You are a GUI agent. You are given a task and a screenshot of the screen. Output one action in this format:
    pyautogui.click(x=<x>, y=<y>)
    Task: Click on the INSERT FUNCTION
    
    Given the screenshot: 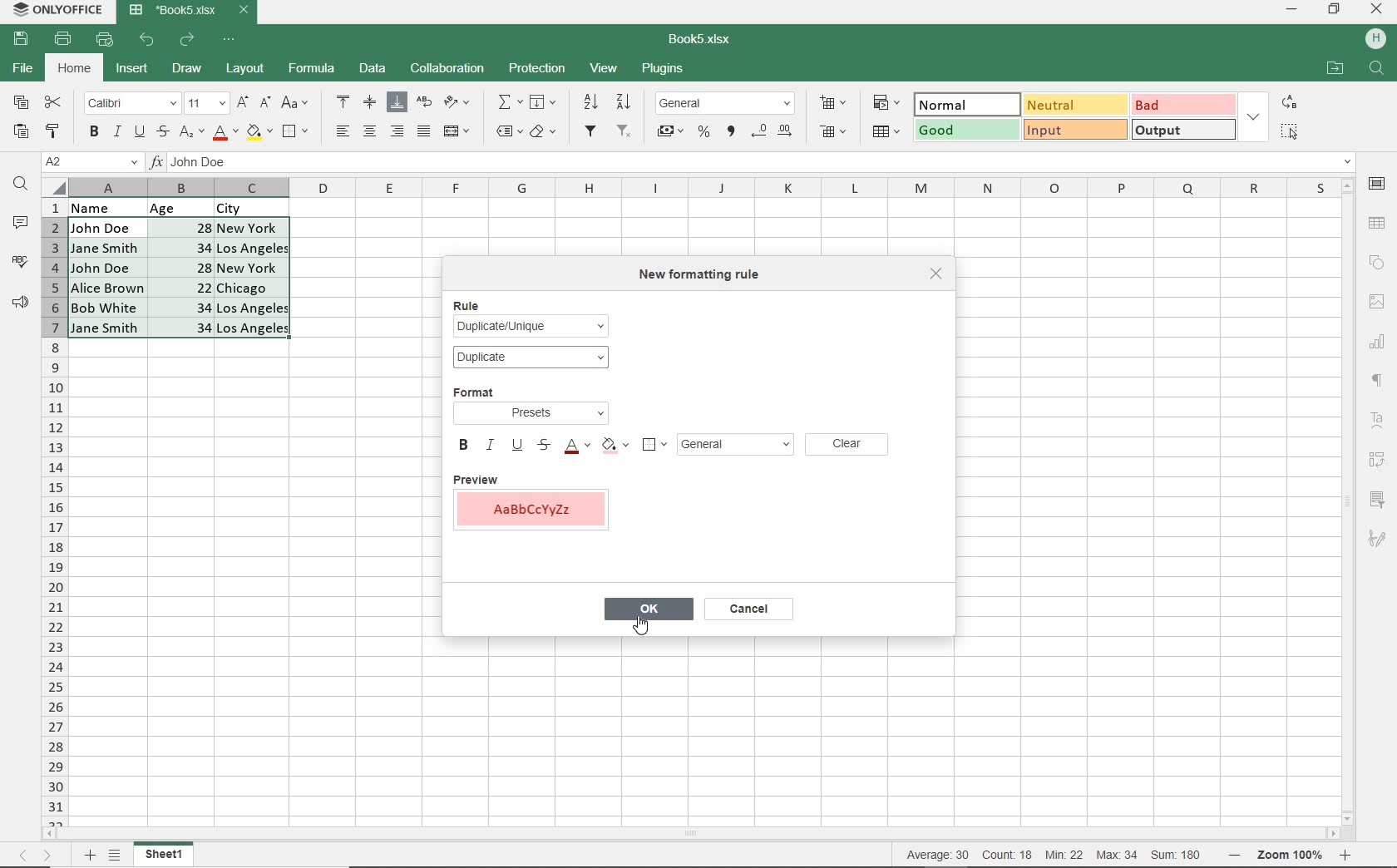 What is the action you would take?
    pyautogui.click(x=510, y=101)
    